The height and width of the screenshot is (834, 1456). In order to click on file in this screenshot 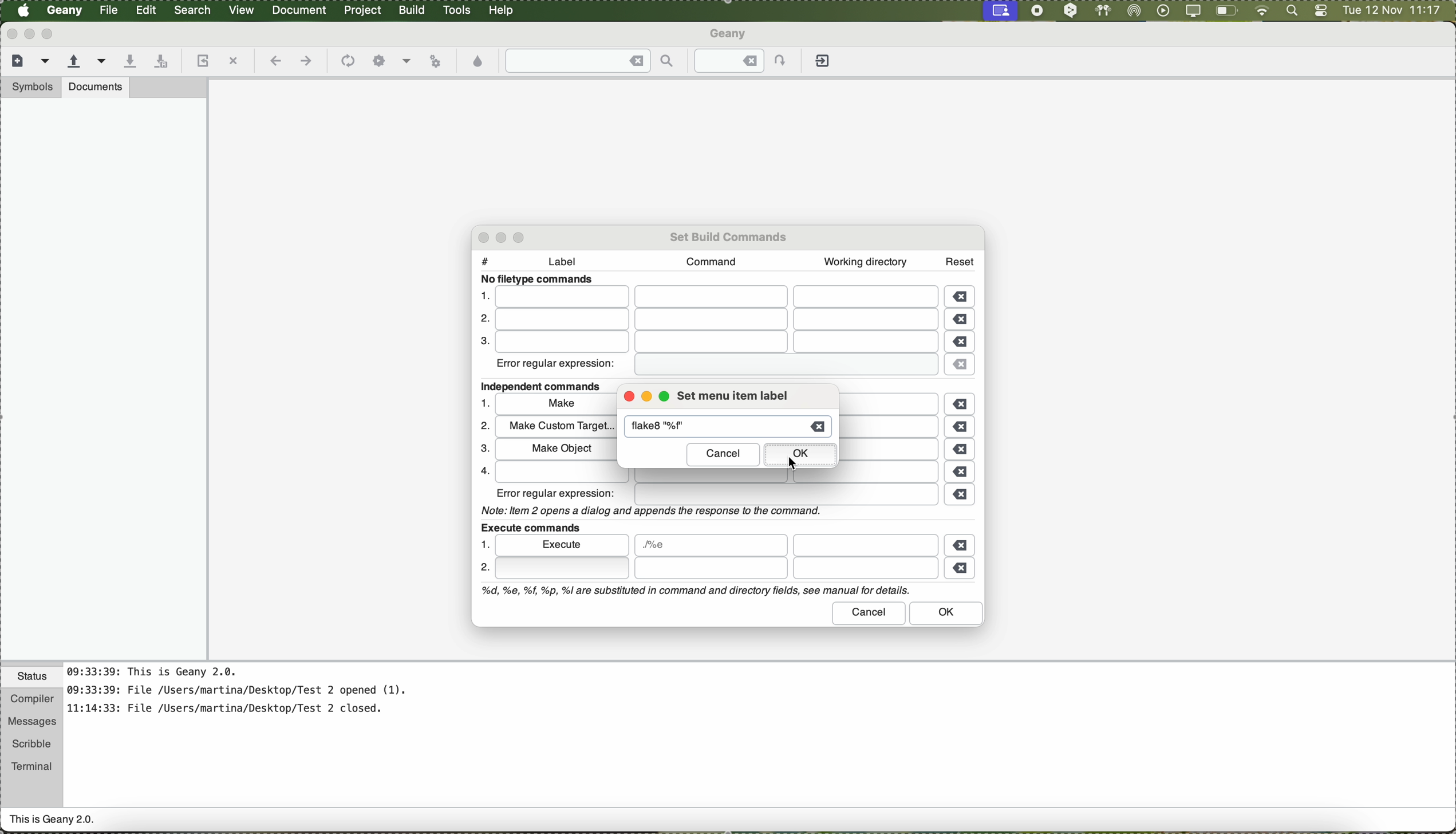, I will do `click(891, 427)`.